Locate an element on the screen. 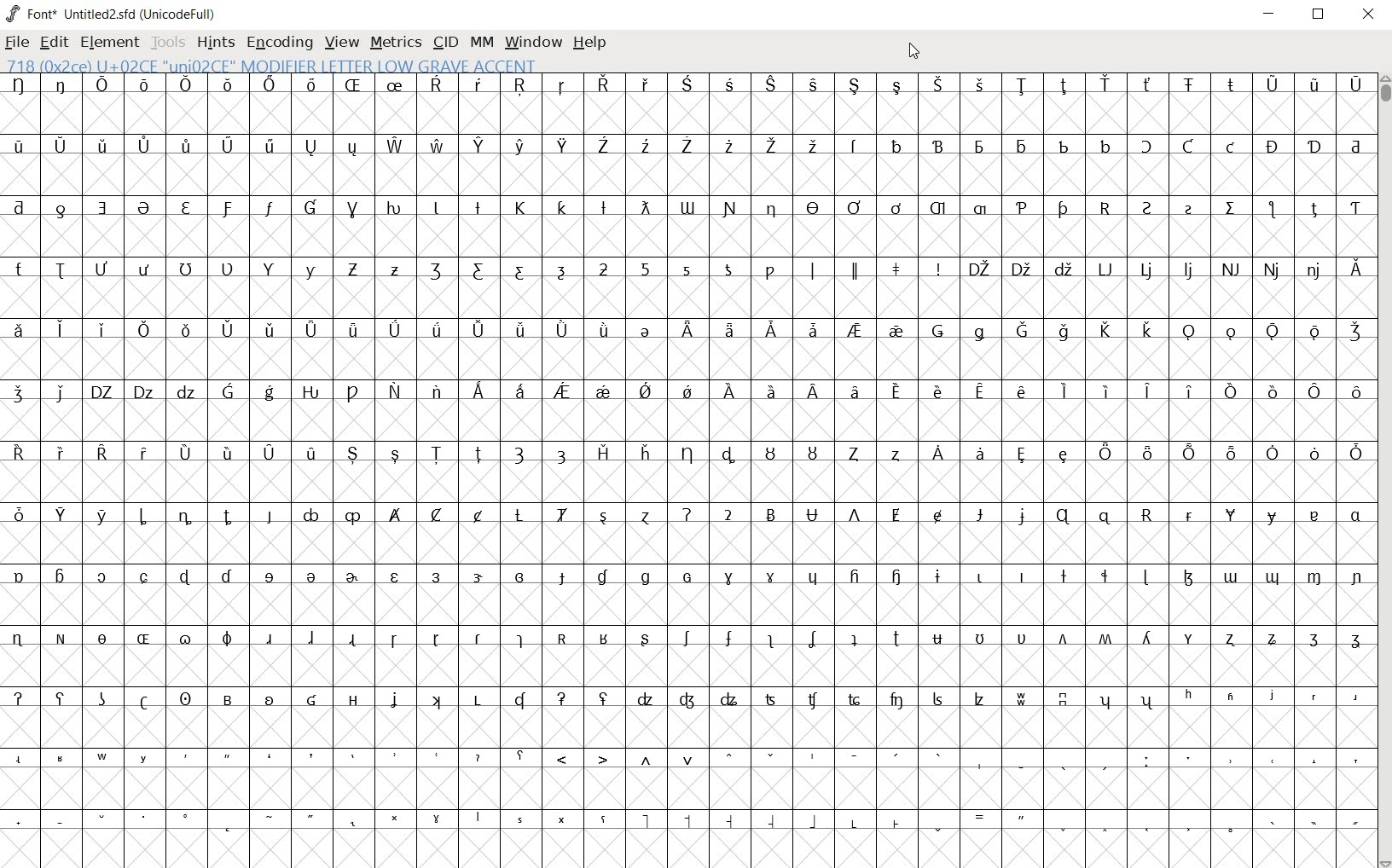 The width and height of the screenshot is (1392, 868). close is located at coordinates (912, 52).